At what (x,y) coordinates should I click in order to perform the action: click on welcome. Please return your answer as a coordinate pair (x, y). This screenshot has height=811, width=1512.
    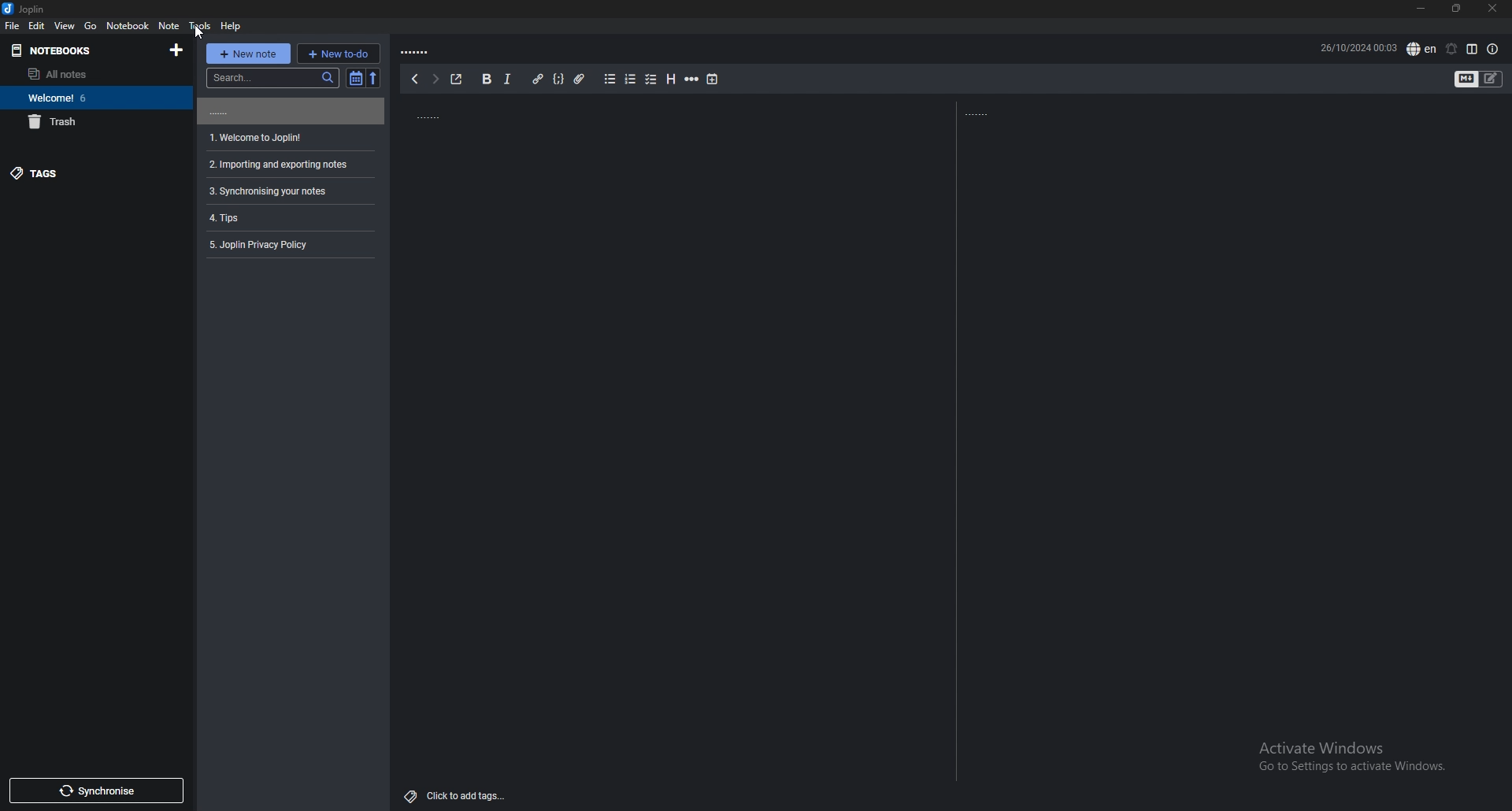
    Looking at the image, I should click on (91, 98).